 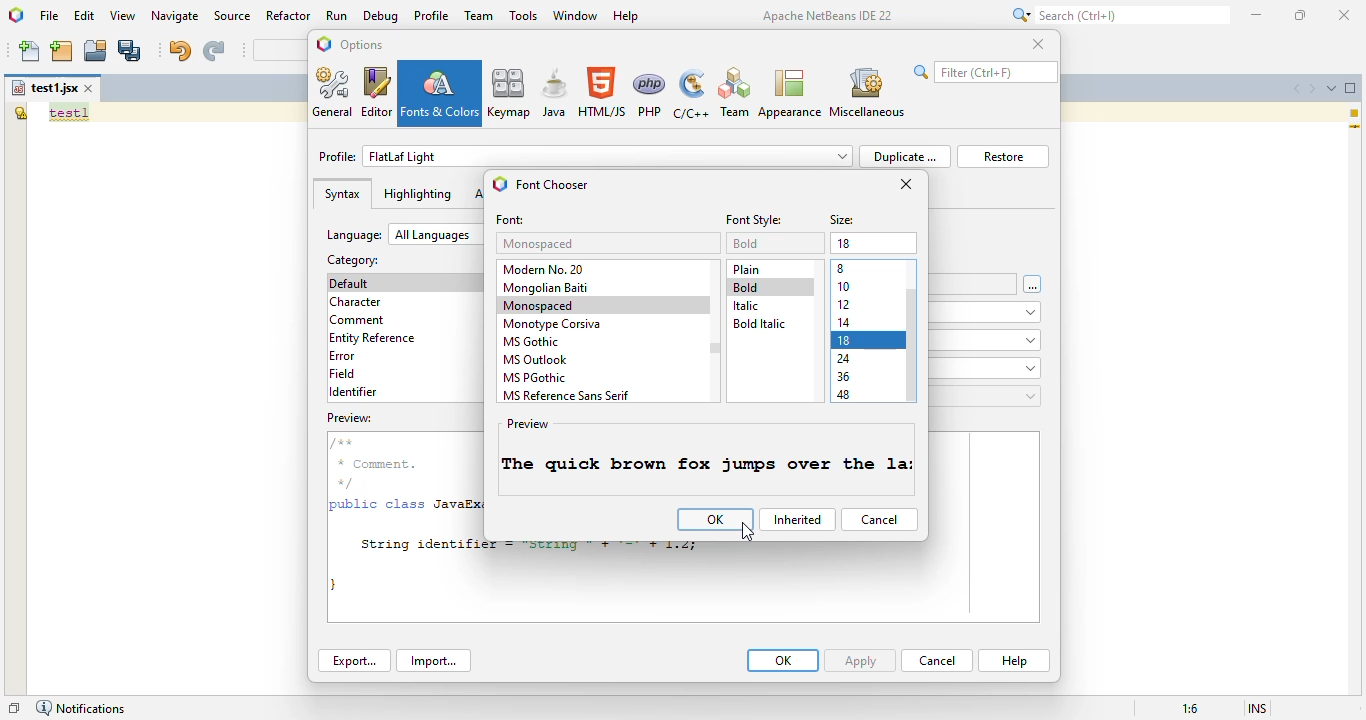 I want to click on show opened documents list, so click(x=1332, y=88).